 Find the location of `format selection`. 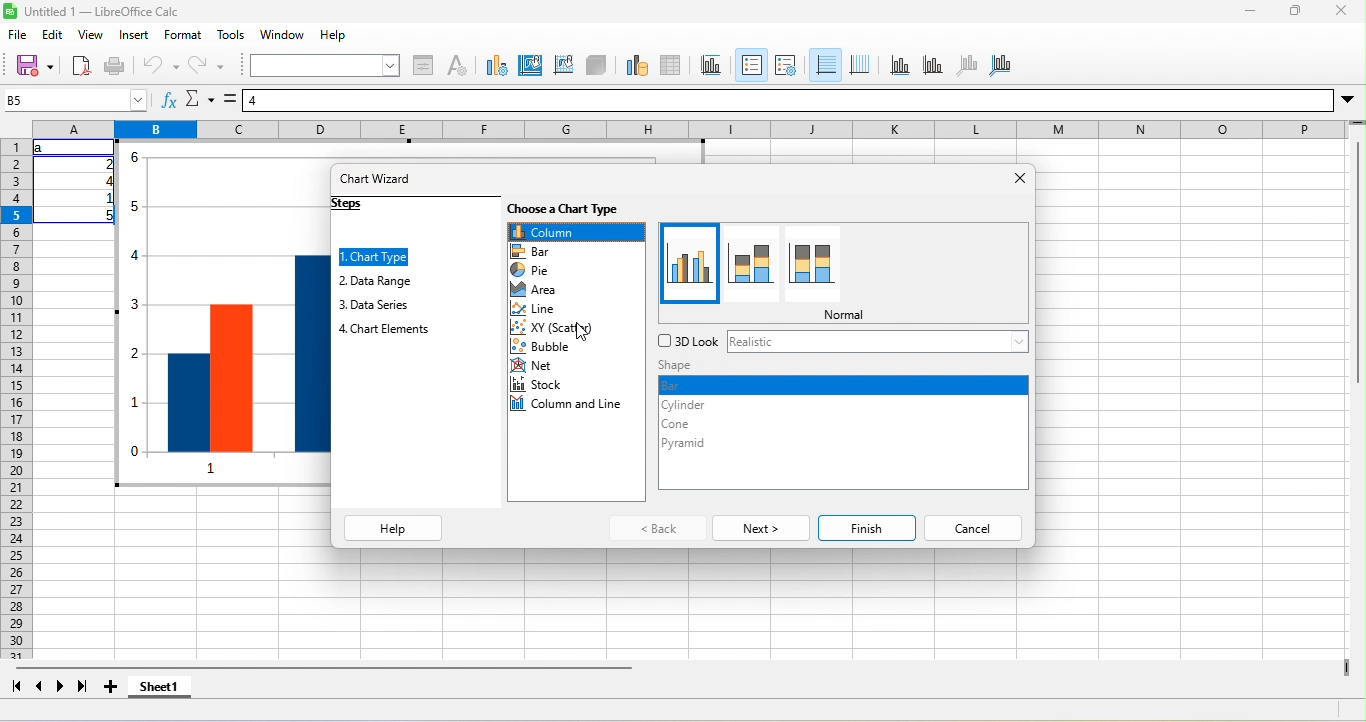

format selection is located at coordinates (423, 67).